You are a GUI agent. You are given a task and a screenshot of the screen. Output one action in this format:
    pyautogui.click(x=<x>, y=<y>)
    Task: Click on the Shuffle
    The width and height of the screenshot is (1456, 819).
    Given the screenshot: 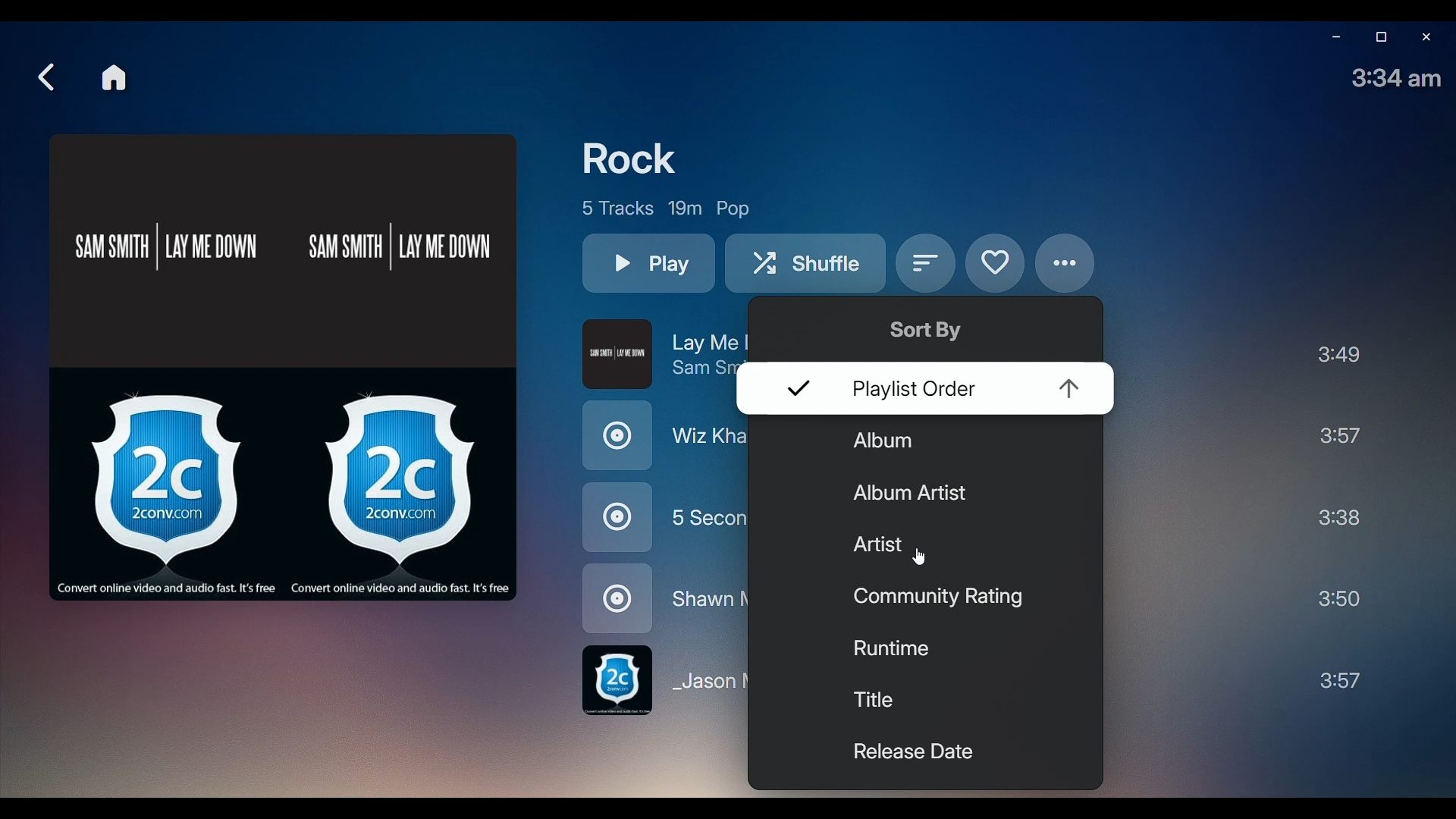 What is the action you would take?
    pyautogui.click(x=808, y=266)
    